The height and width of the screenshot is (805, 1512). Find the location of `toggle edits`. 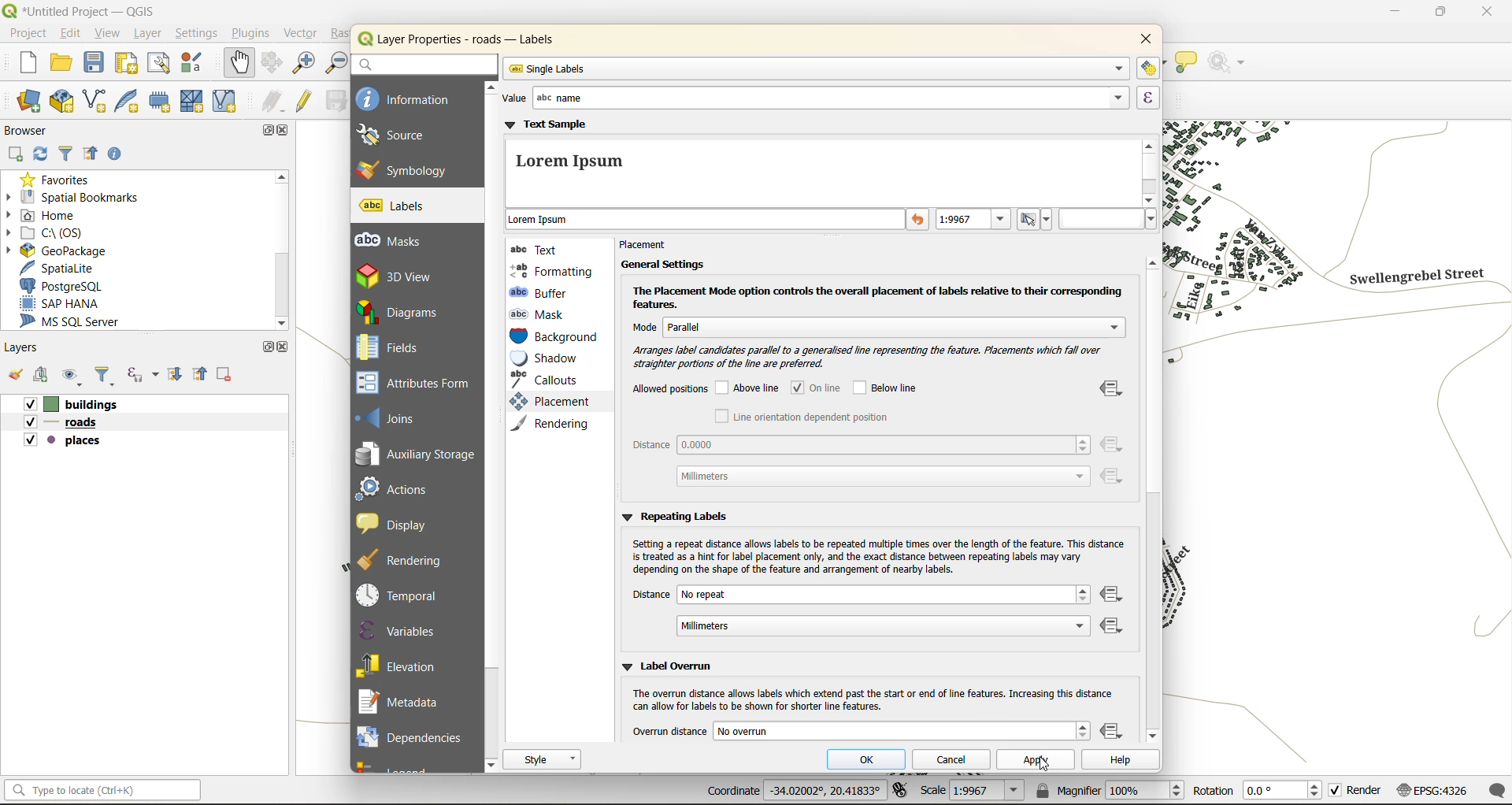

toggle edits is located at coordinates (307, 102).